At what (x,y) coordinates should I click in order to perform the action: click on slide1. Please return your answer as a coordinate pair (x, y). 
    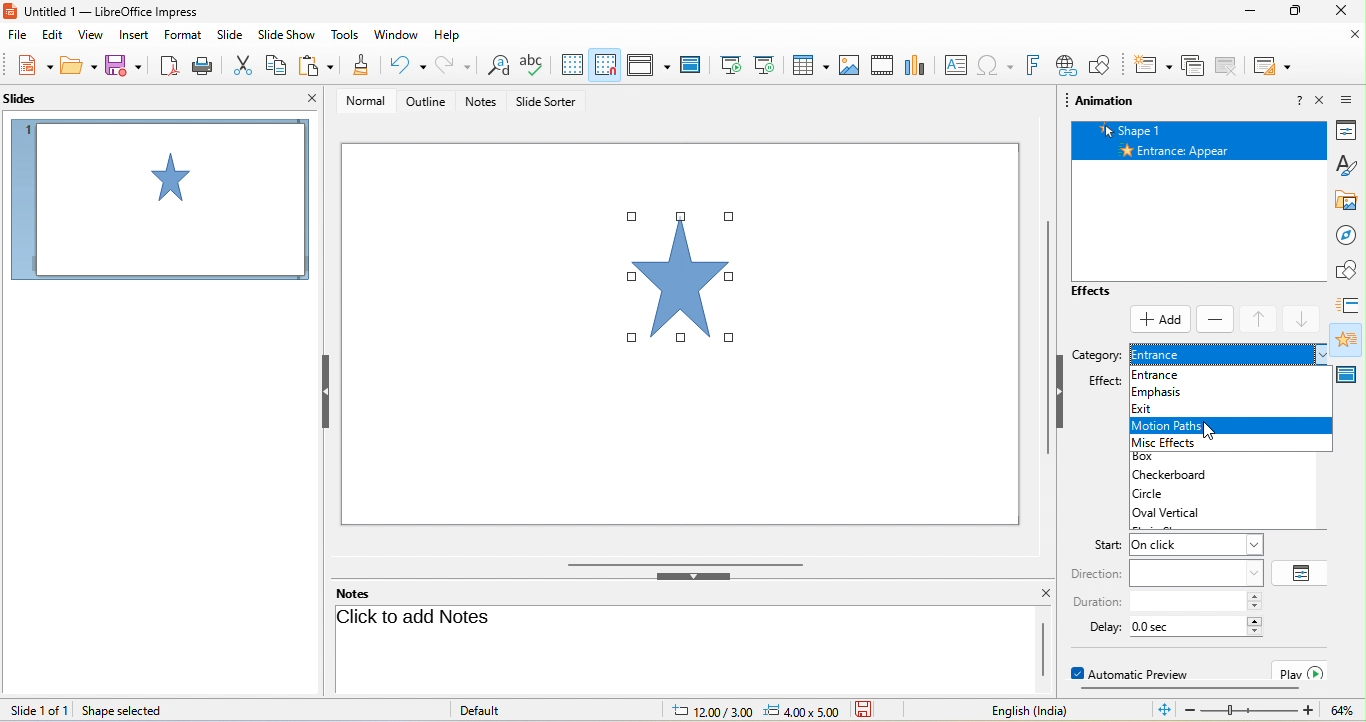
    Looking at the image, I should click on (159, 203).